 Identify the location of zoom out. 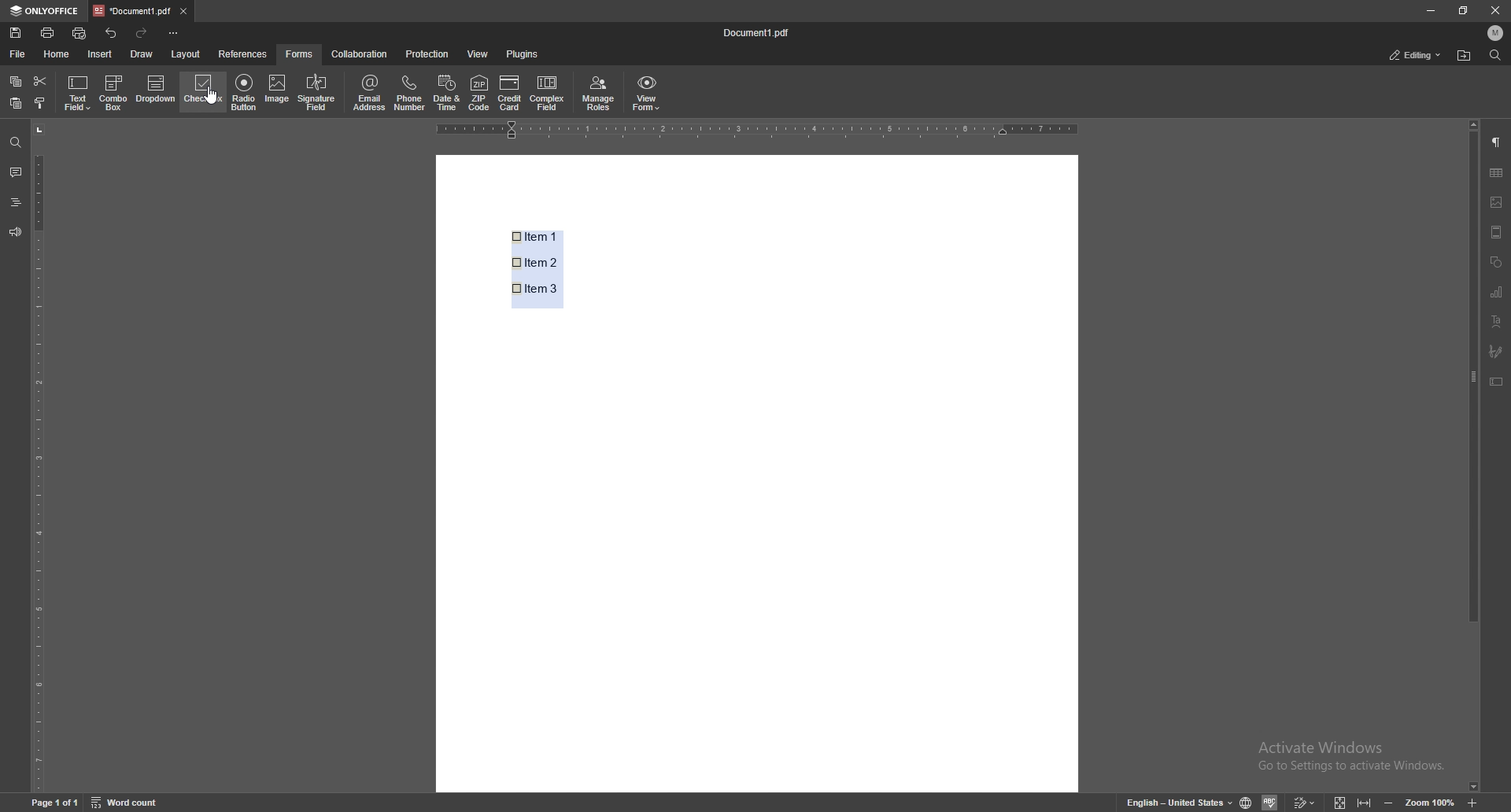
(1390, 800).